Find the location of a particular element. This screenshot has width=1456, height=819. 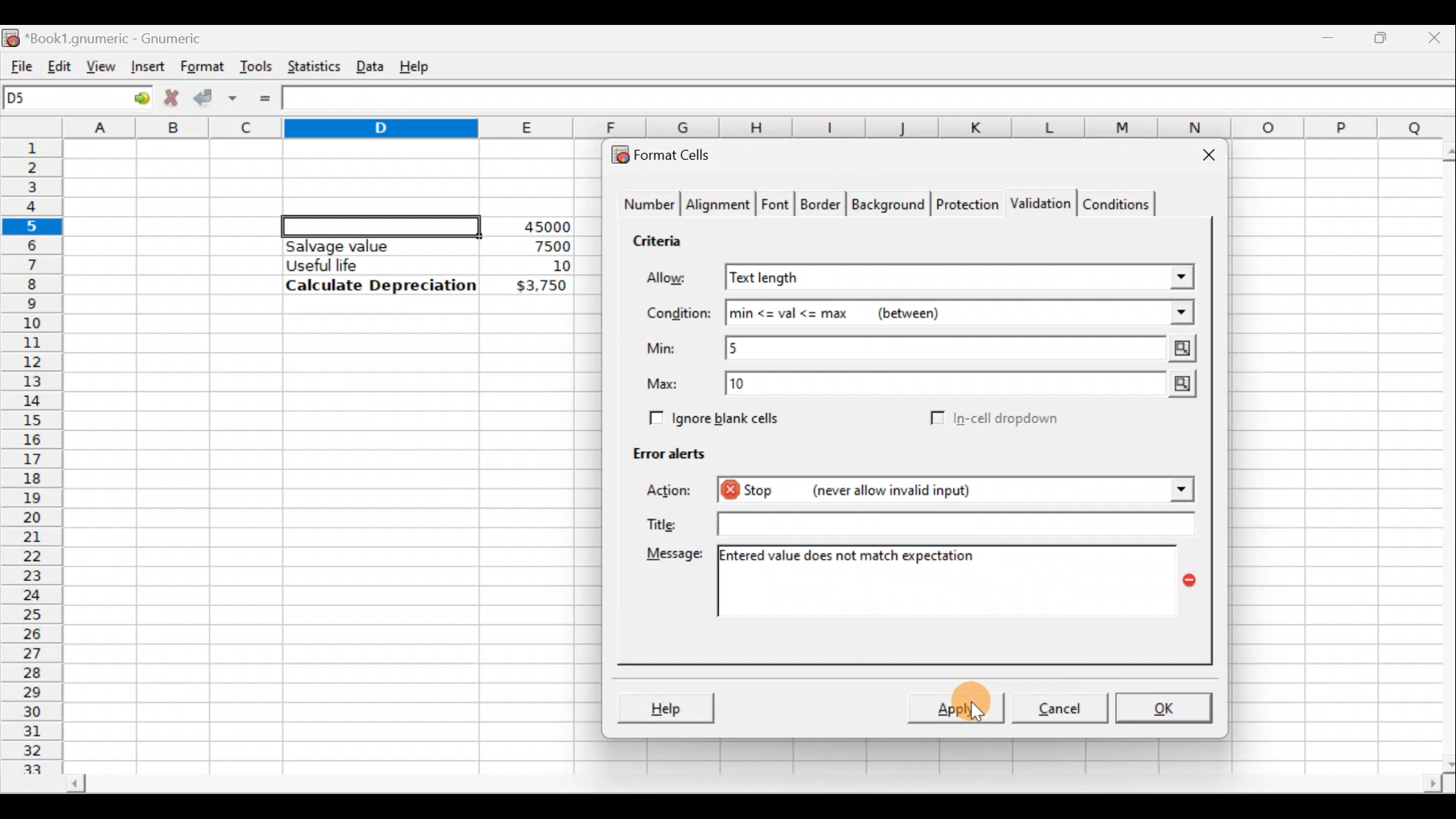

Gnumeric logo is located at coordinates (11, 36).